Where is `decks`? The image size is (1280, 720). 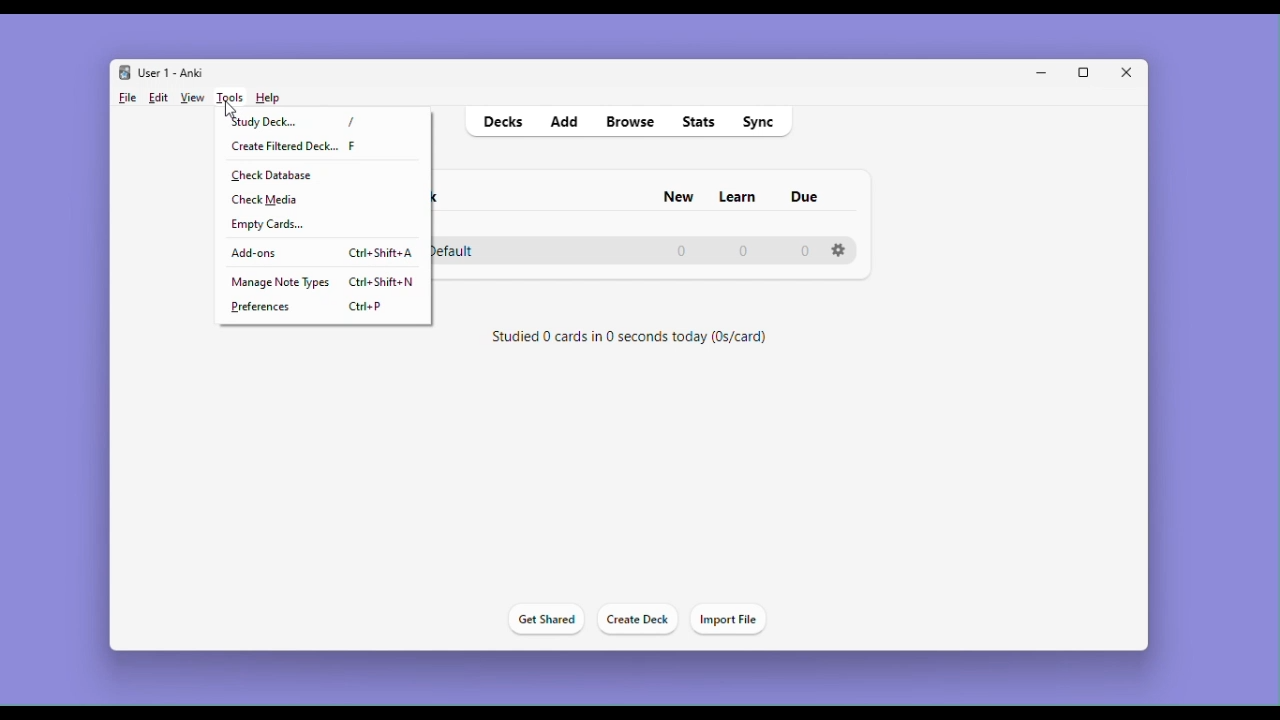 decks is located at coordinates (501, 122).